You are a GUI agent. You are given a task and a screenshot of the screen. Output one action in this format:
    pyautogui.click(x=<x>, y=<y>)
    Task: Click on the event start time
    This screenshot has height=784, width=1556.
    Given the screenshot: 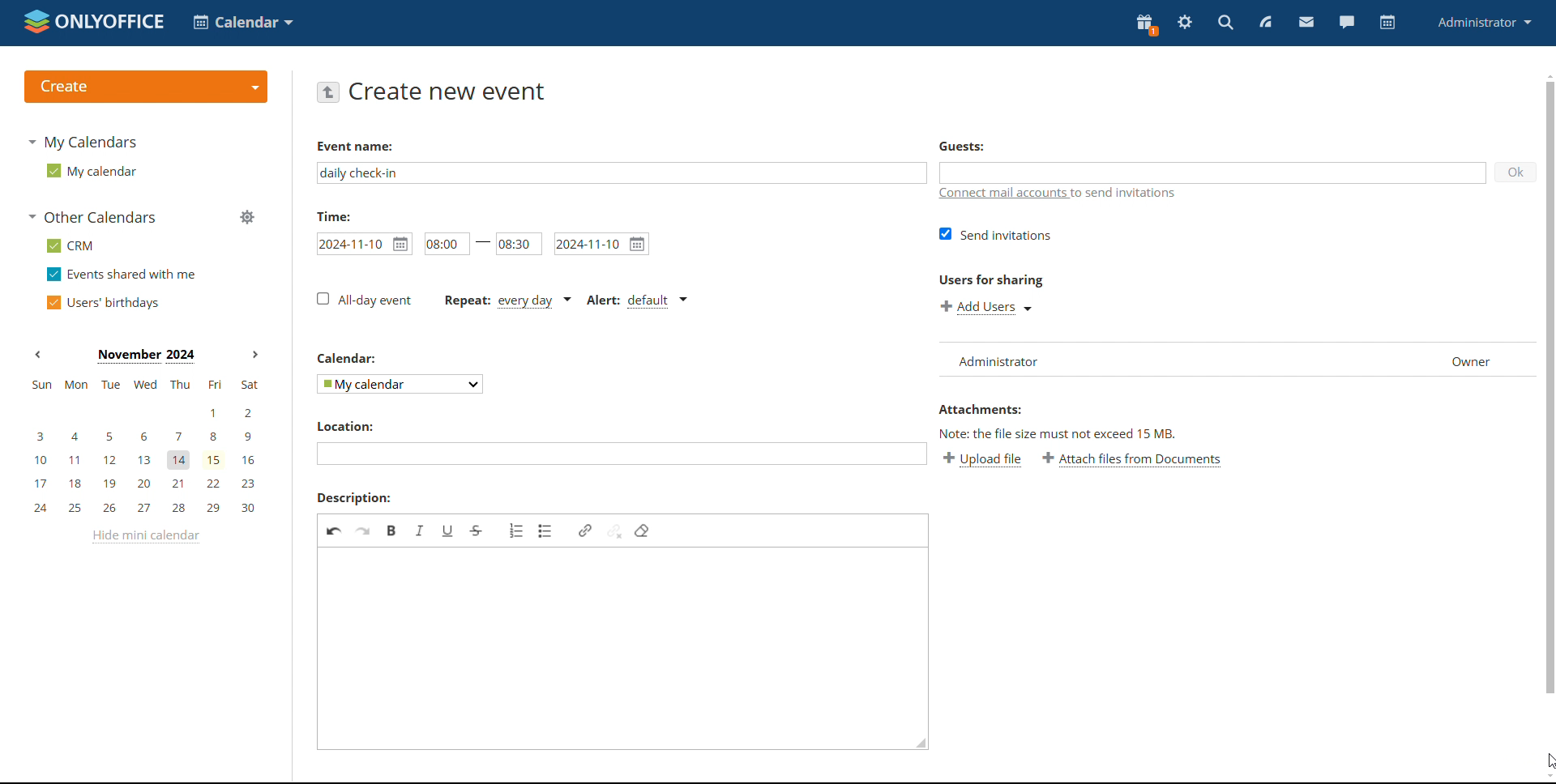 What is the action you would take?
    pyautogui.click(x=445, y=244)
    